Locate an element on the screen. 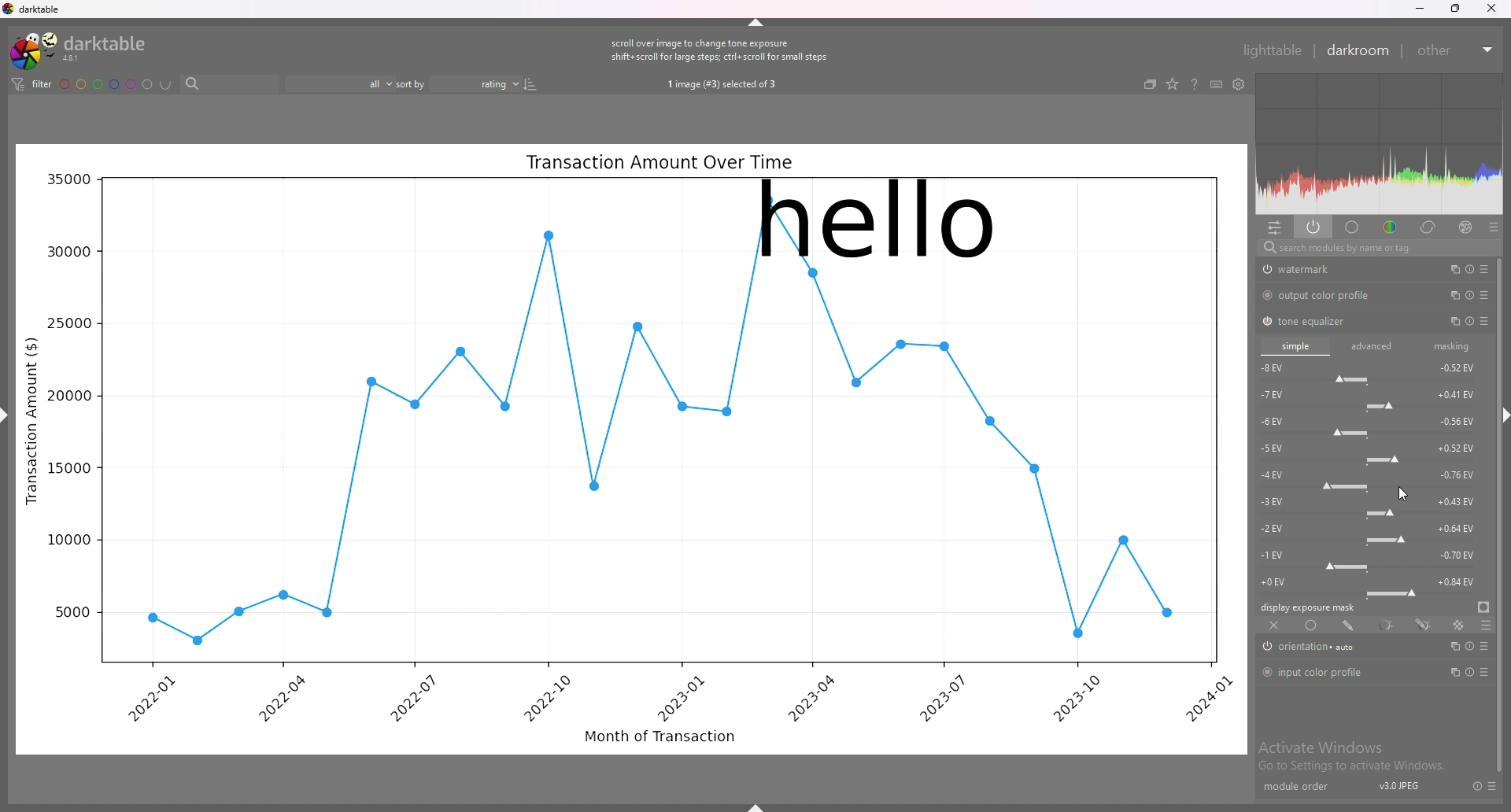 The height and width of the screenshot is (812, 1511). expand/collapse  is located at coordinates (1487, 50).